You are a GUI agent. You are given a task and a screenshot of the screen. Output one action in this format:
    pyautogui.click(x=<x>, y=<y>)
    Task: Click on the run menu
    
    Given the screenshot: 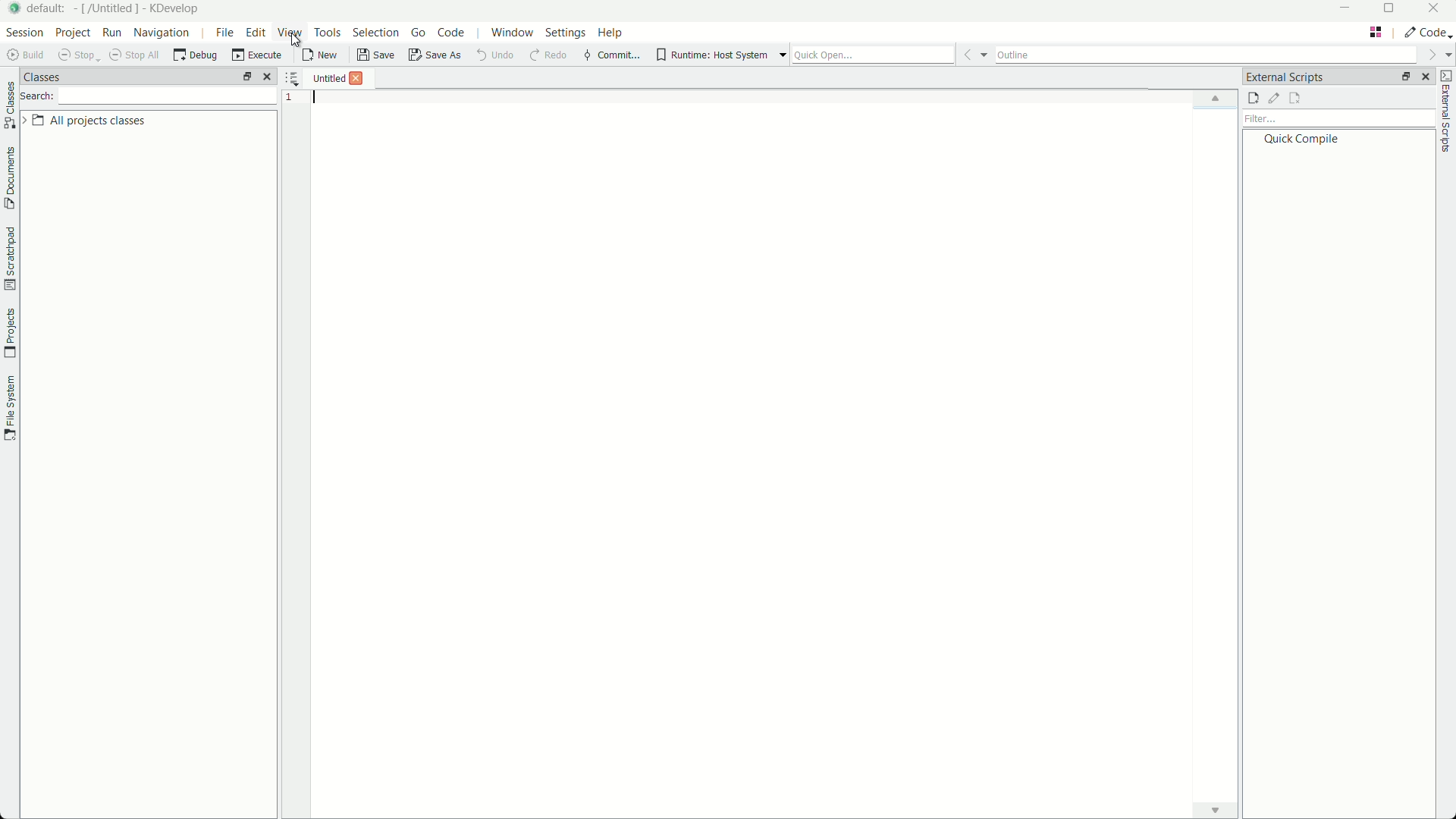 What is the action you would take?
    pyautogui.click(x=109, y=31)
    